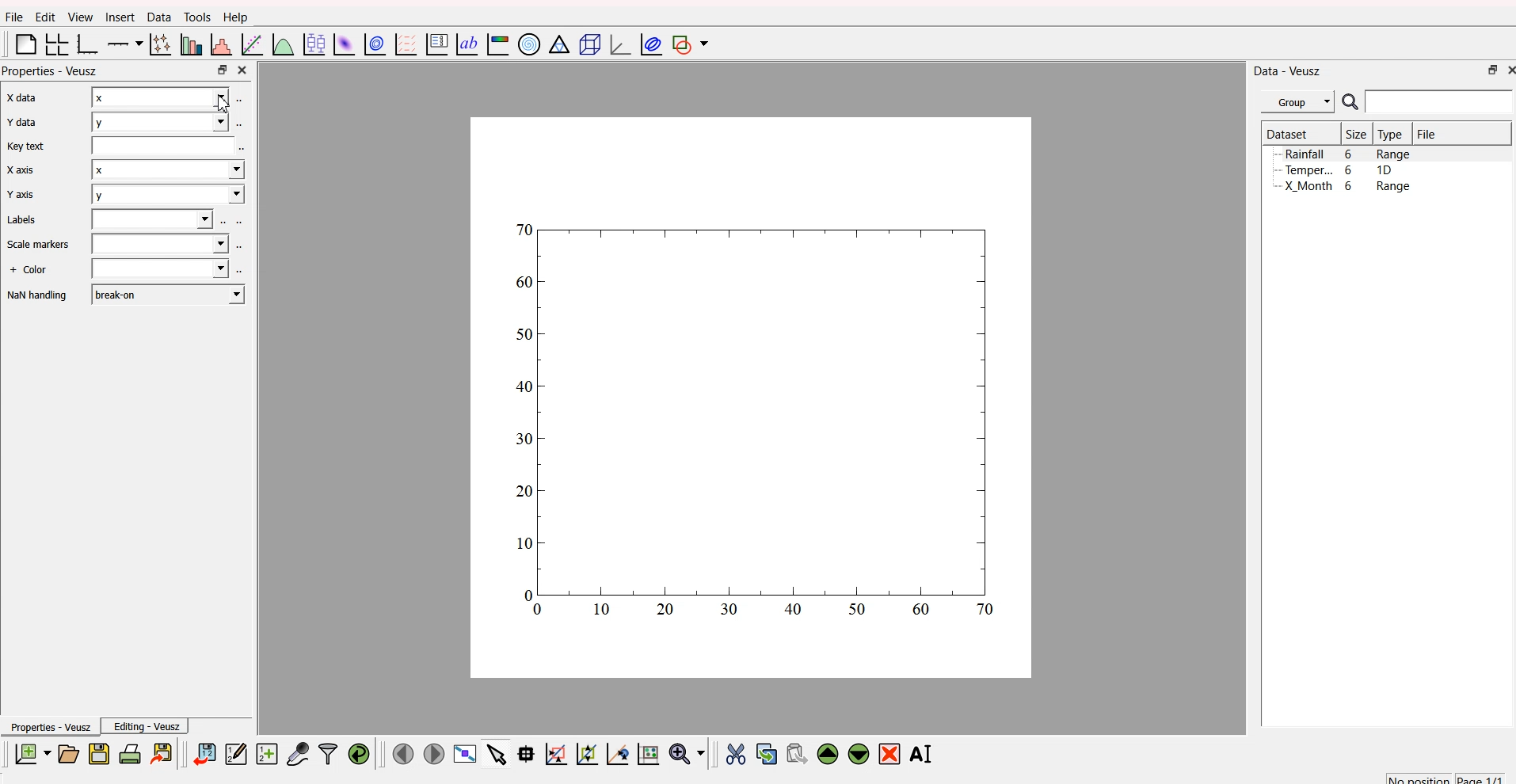  What do you see at coordinates (283, 45) in the screenshot?
I see `plot function` at bounding box center [283, 45].